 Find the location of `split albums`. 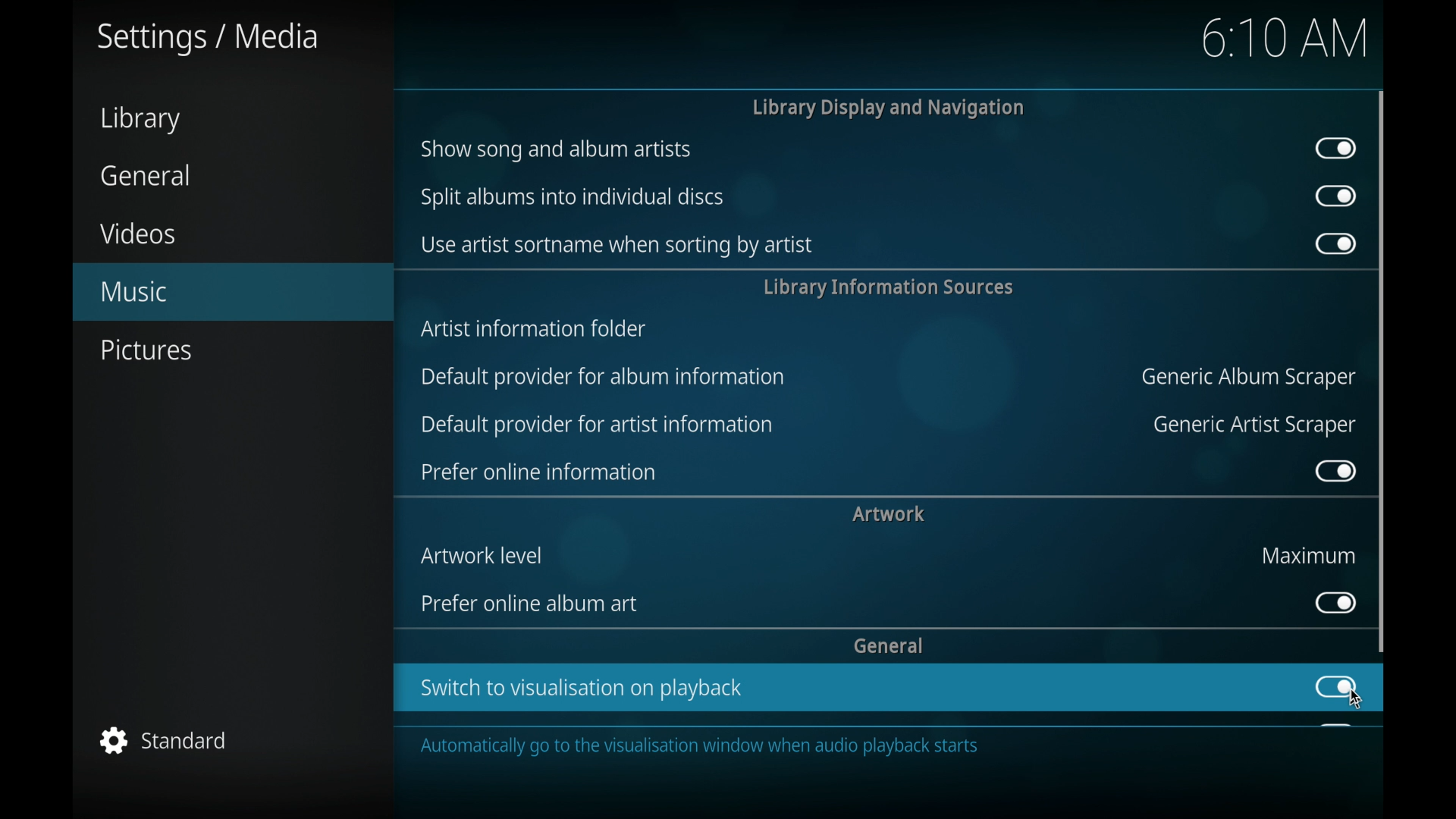

split albums is located at coordinates (573, 197).